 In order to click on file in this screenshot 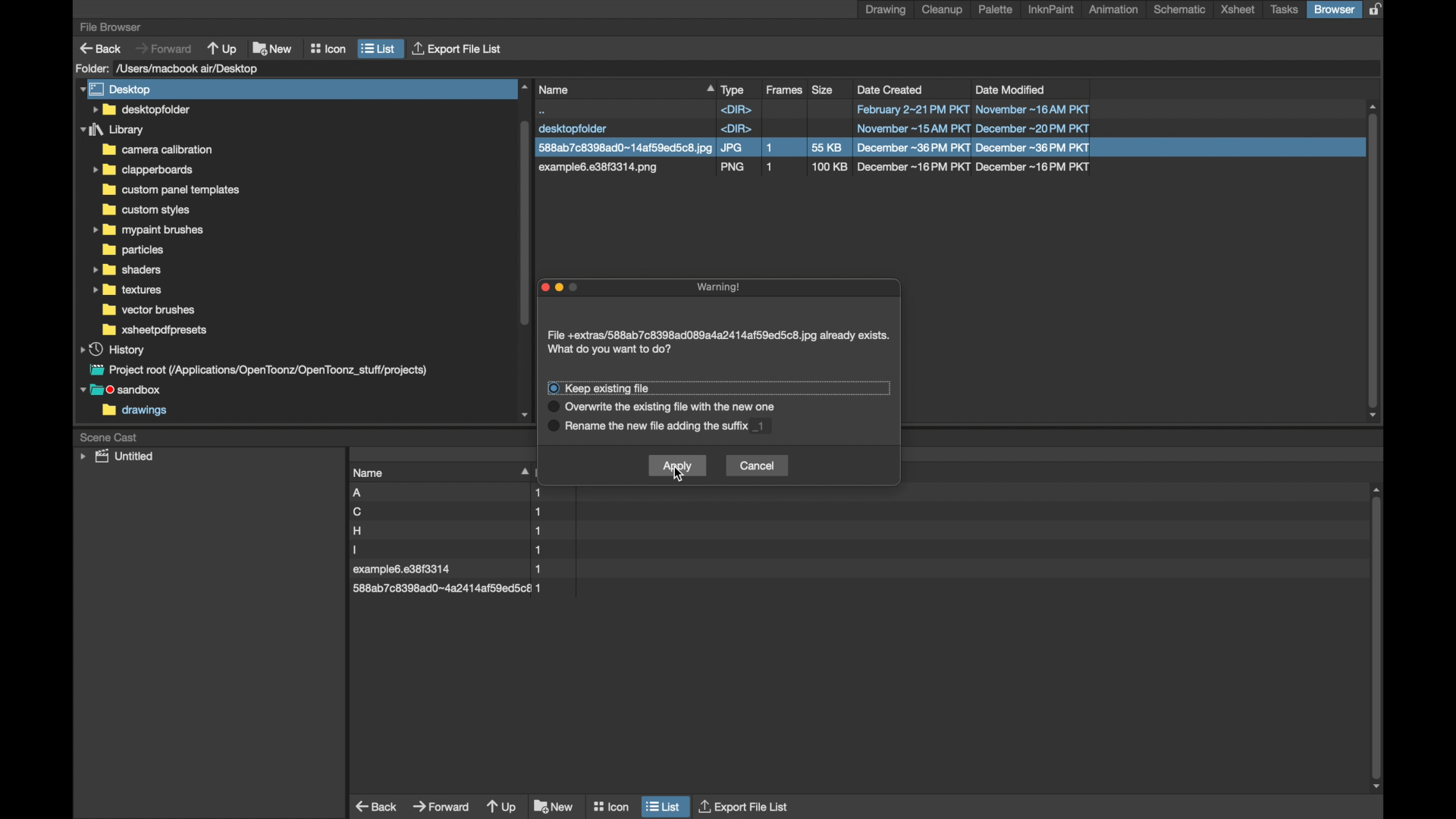, I will do `click(814, 130)`.